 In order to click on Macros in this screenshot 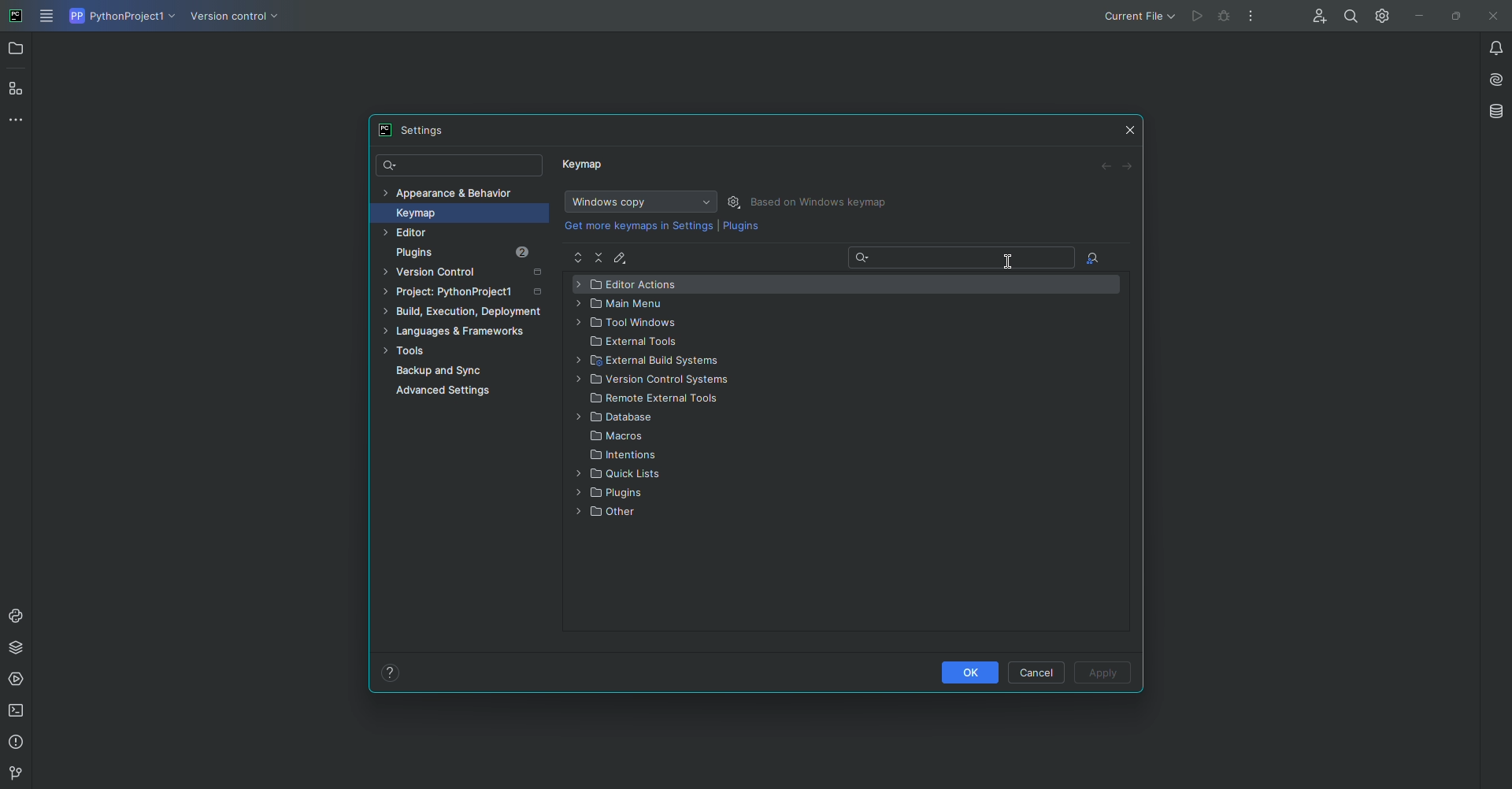, I will do `click(620, 437)`.